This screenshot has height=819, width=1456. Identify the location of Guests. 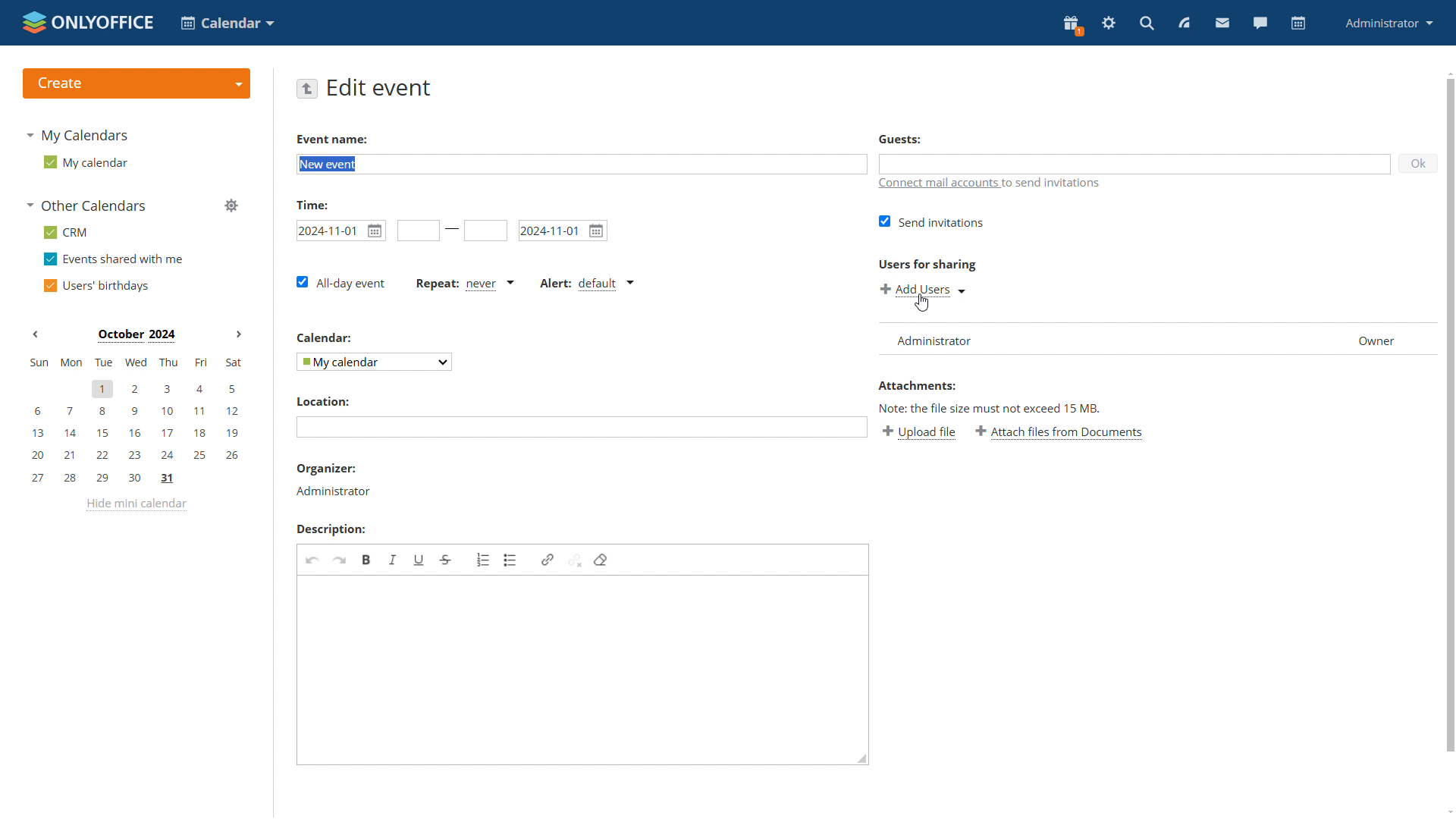
(900, 140).